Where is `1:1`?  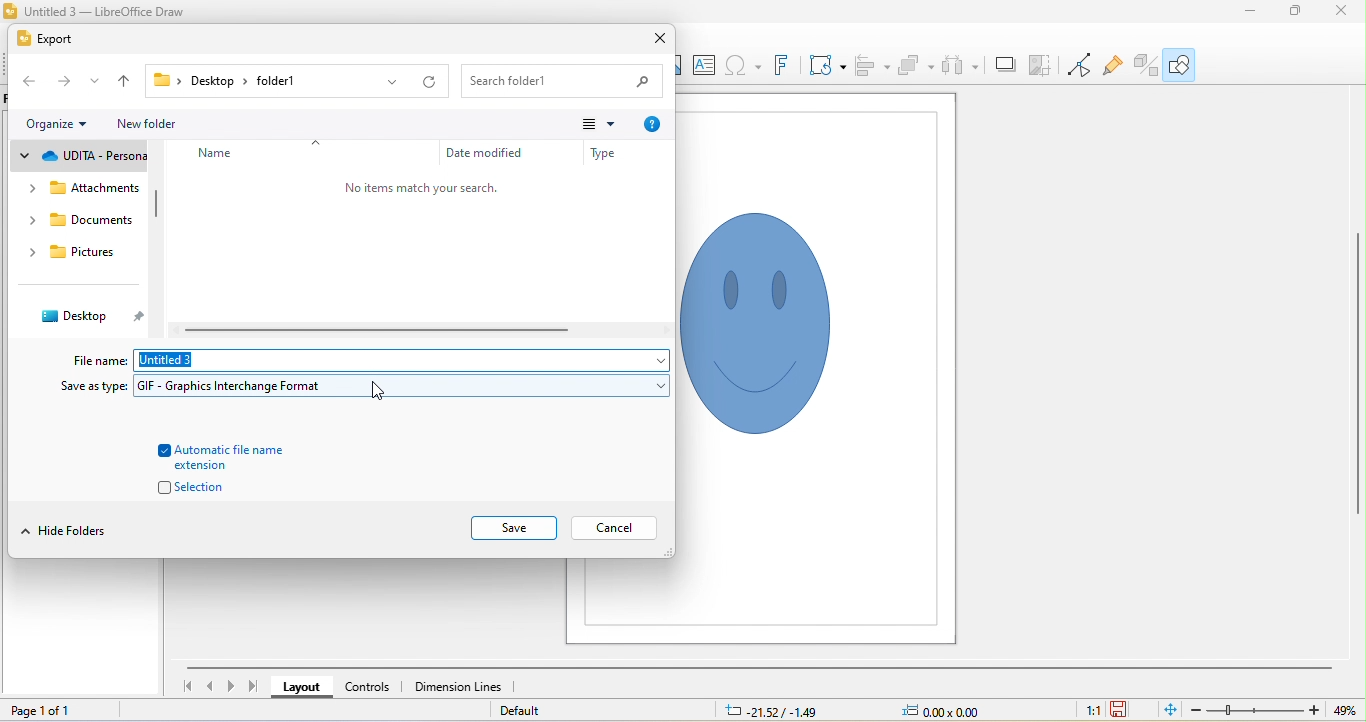
1:1 is located at coordinates (1092, 709).